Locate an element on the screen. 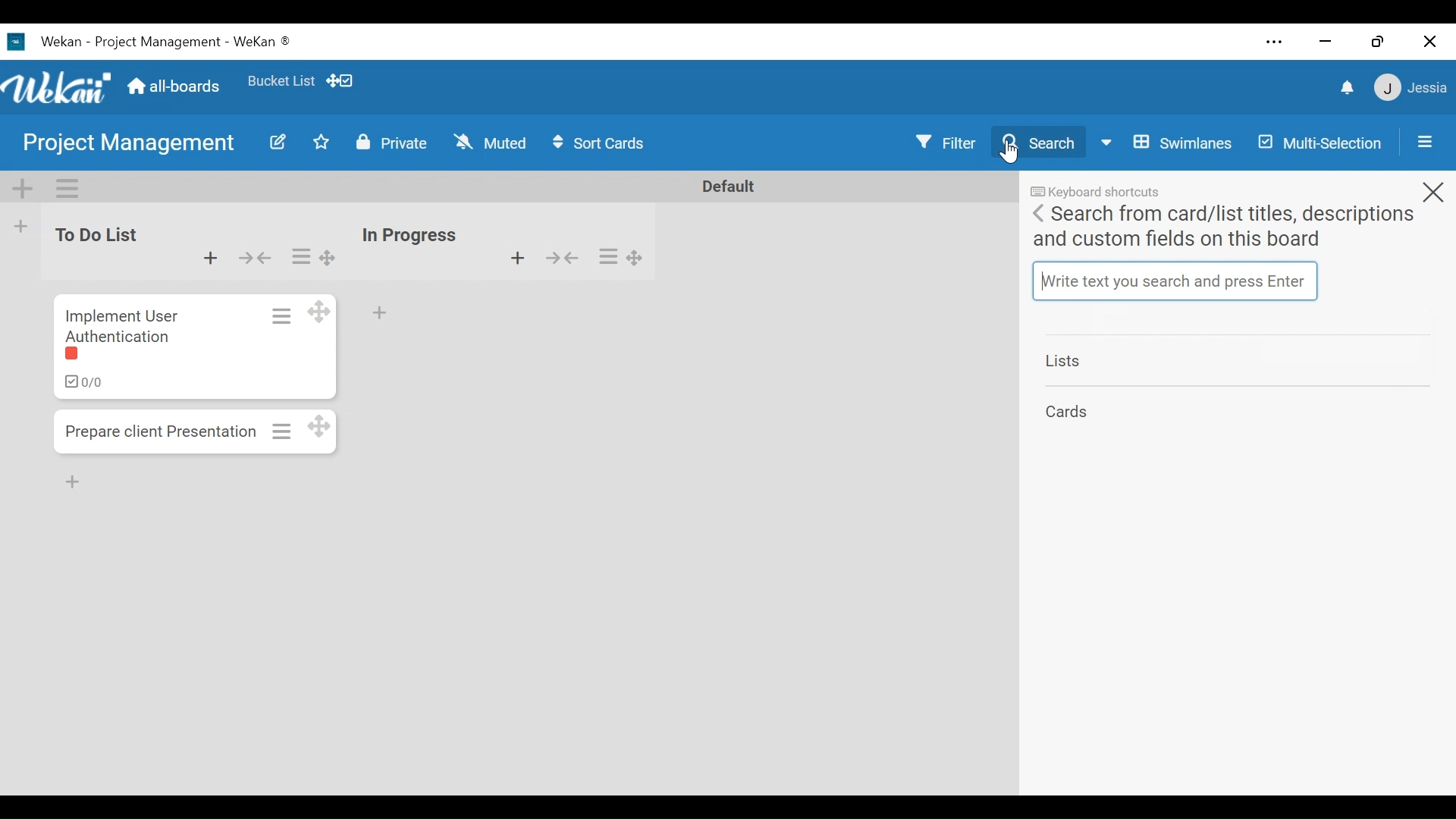 The width and height of the screenshot is (1456, 819). member menu is located at coordinates (1410, 88).